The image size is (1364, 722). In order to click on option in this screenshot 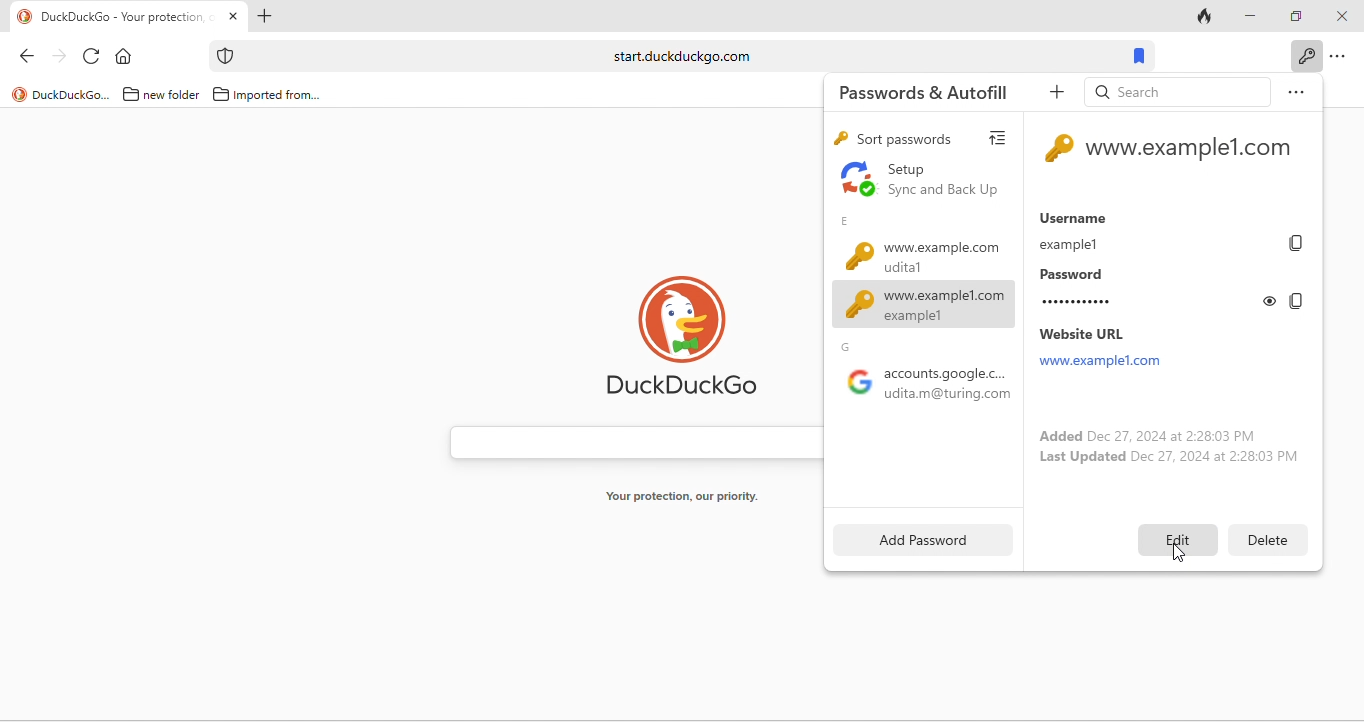, I will do `click(1292, 95)`.